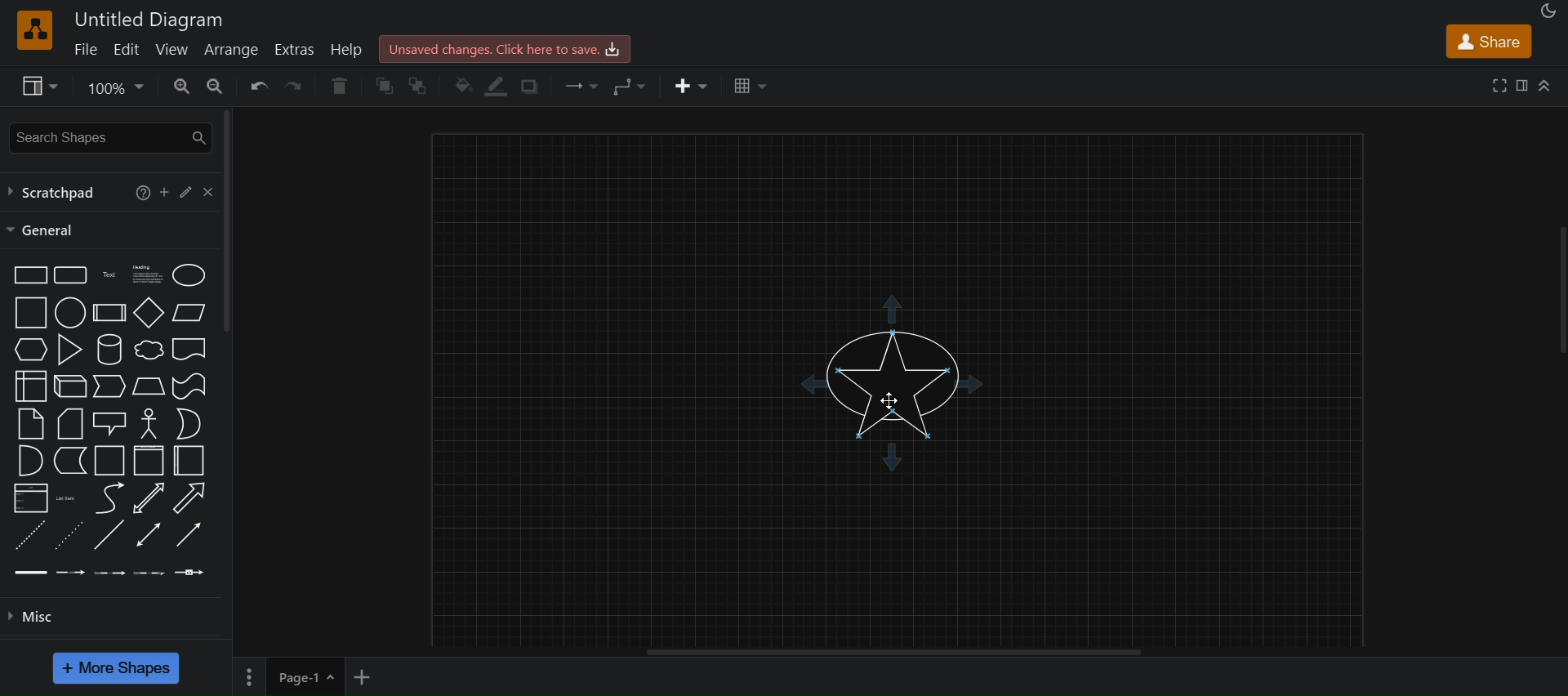 The image size is (1568, 696). What do you see at coordinates (297, 86) in the screenshot?
I see `redo` at bounding box center [297, 86].